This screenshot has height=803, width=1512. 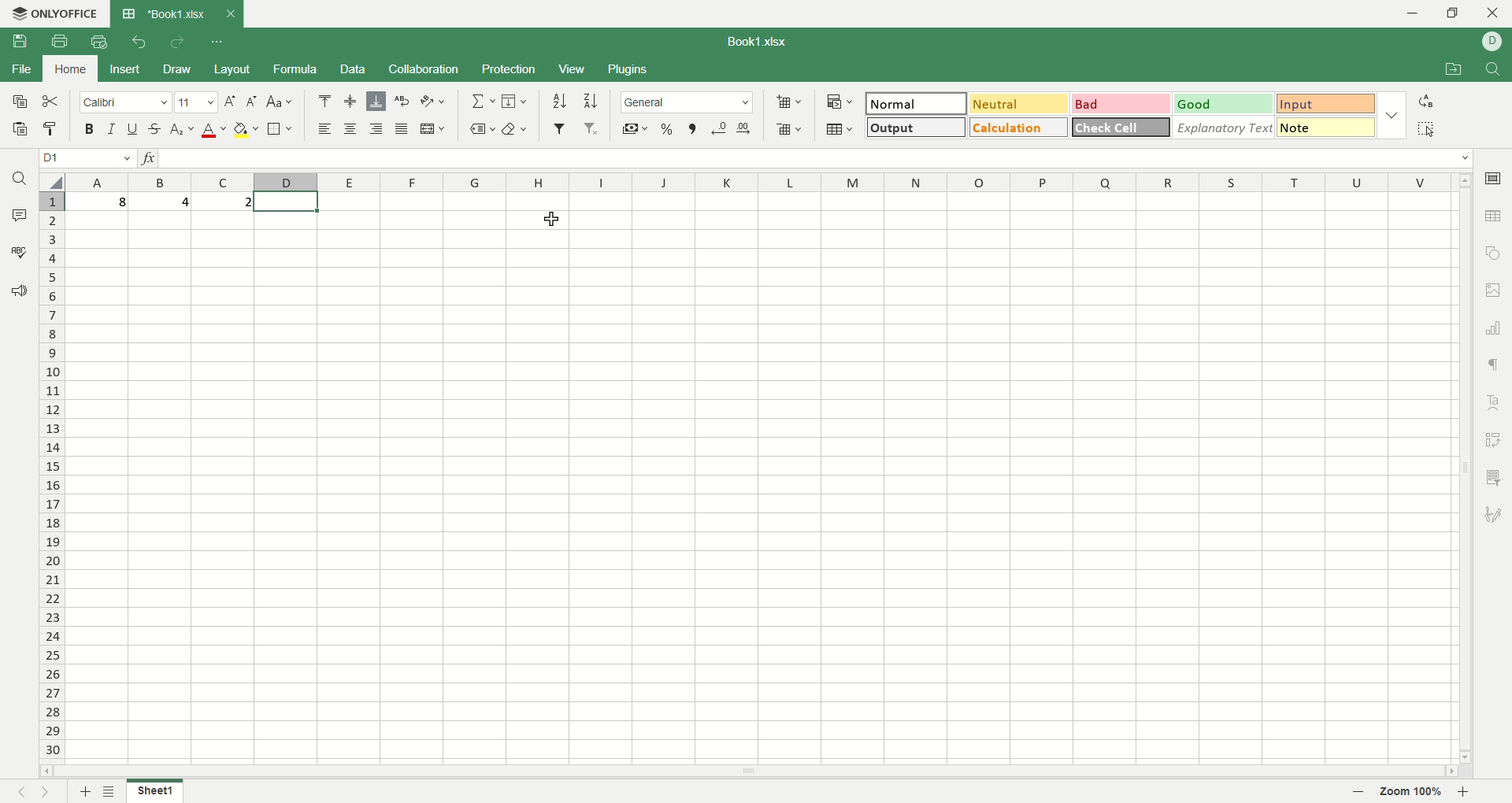 I want to click on close, so click(x=1494, y=13).